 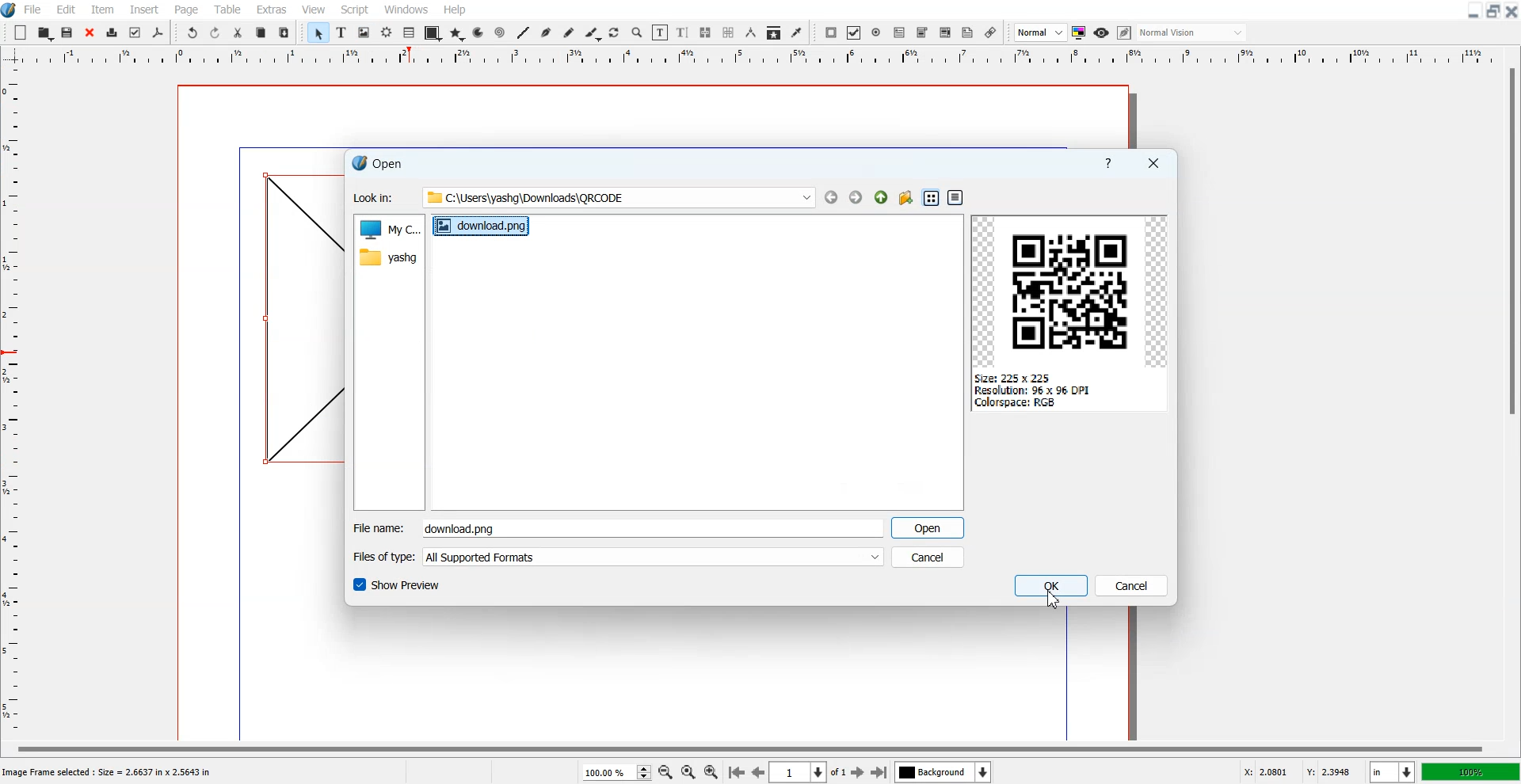 What do you see at coordinates (1041, 390) in the screenshot?
I see `Size: 225 x 225
Resolution: 96 x 96 DPI
Colorspace: RGB` at bounding box center [1041, 390].